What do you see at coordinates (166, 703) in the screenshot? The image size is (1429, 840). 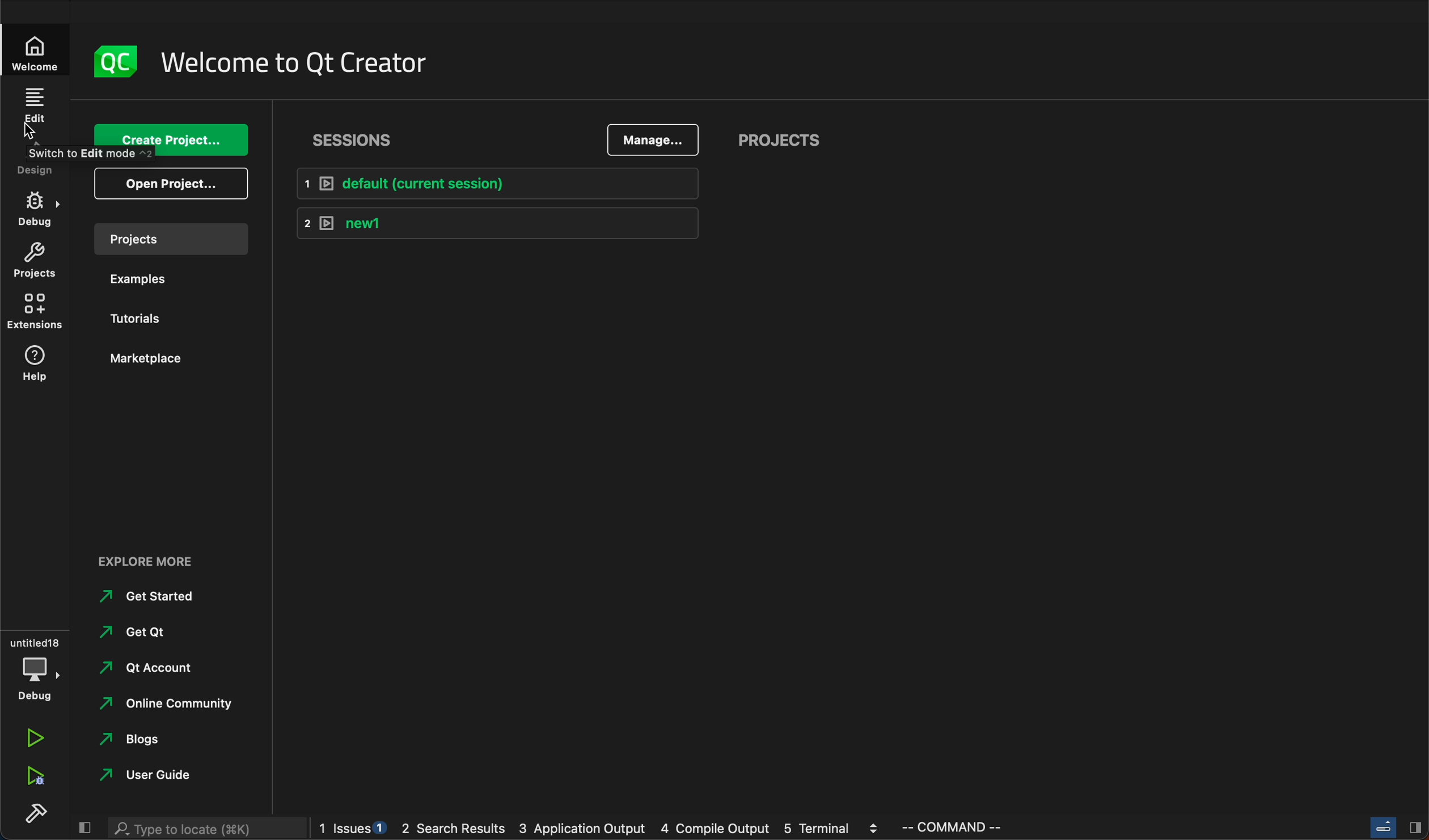 I see `community` at bounding box center [166, 703].